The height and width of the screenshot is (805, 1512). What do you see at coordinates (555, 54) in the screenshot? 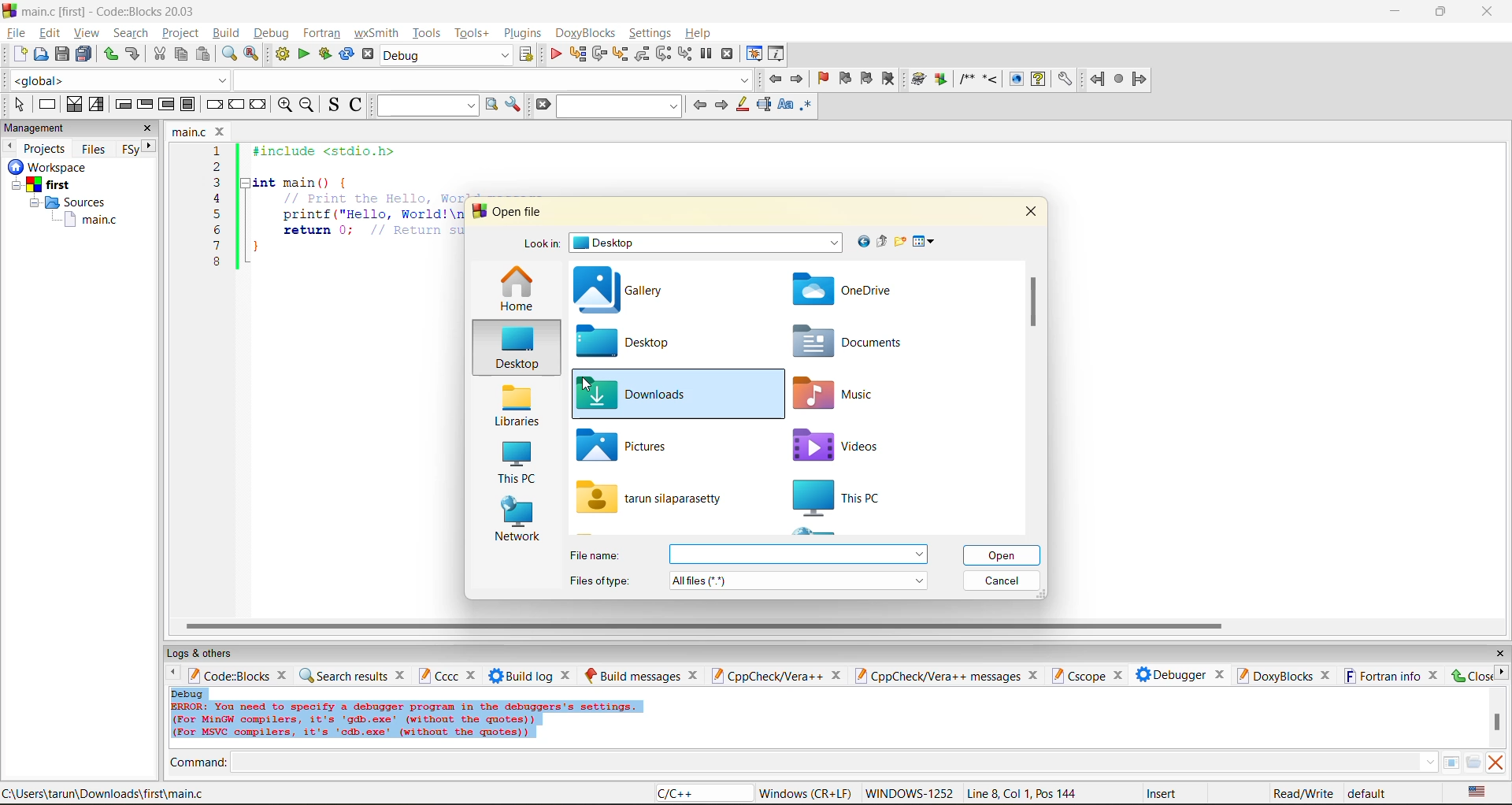
I see `debug/continue` at bounding box center [555, 54].